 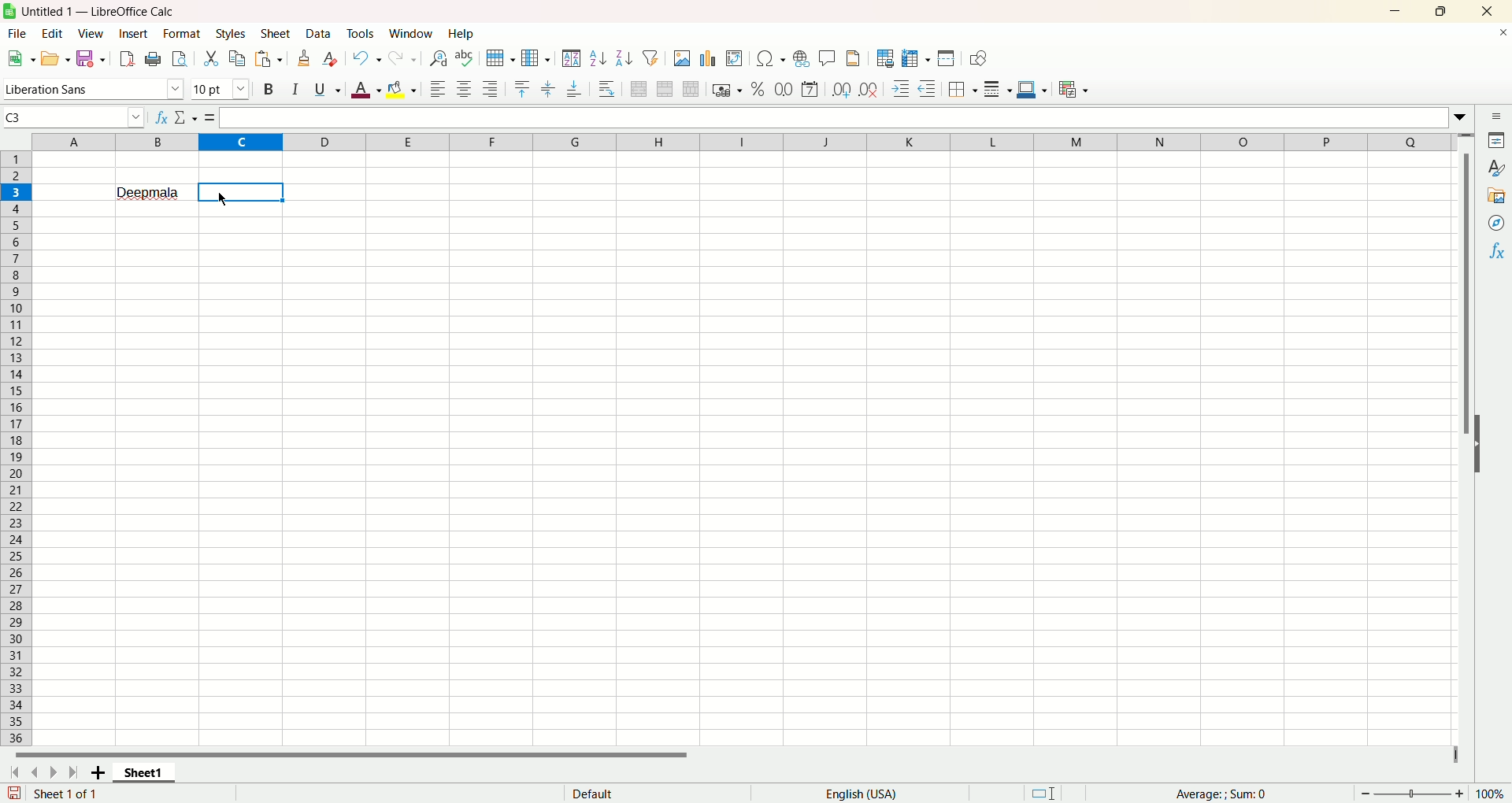 What do you see at coordinates (161, 117) in the screenshot?
I see `function wizard` at bounding box center [161, 117].